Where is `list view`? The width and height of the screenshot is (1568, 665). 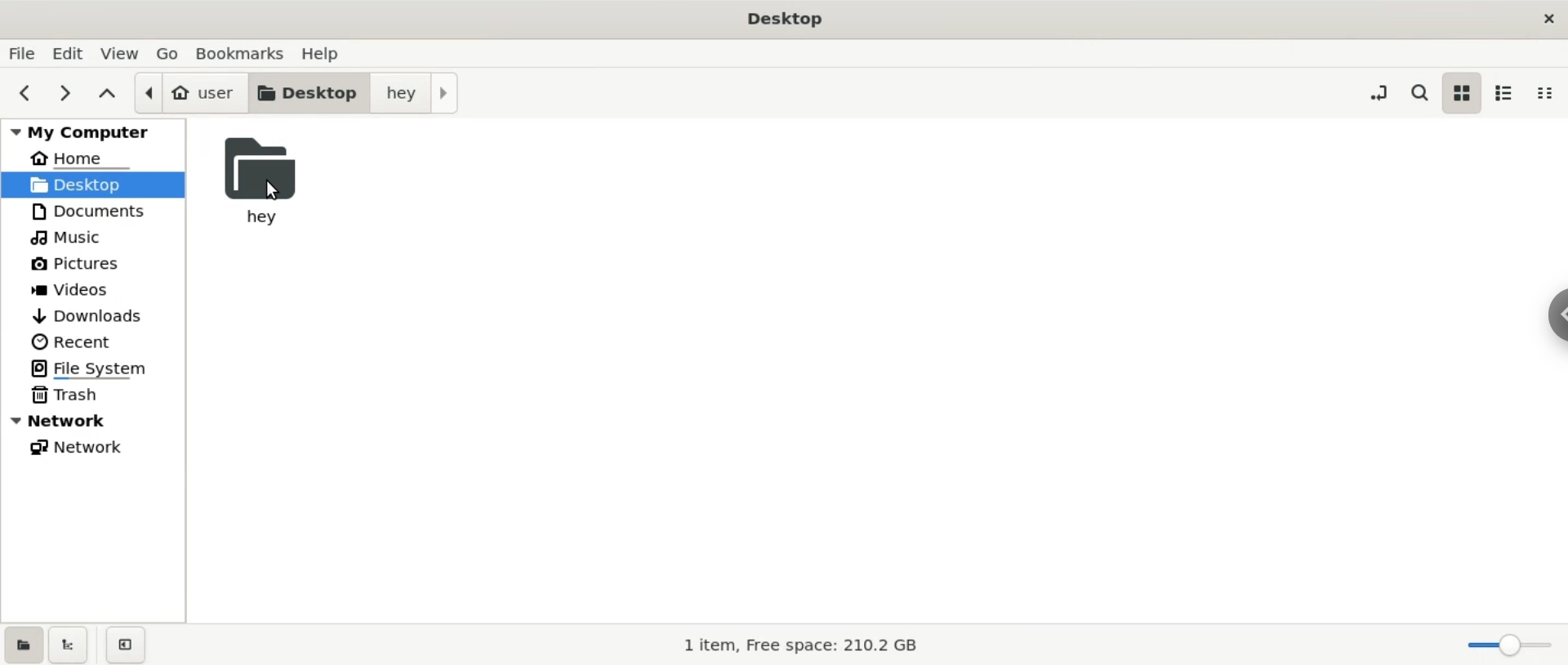 list view is located at coordinates (1506, 91).